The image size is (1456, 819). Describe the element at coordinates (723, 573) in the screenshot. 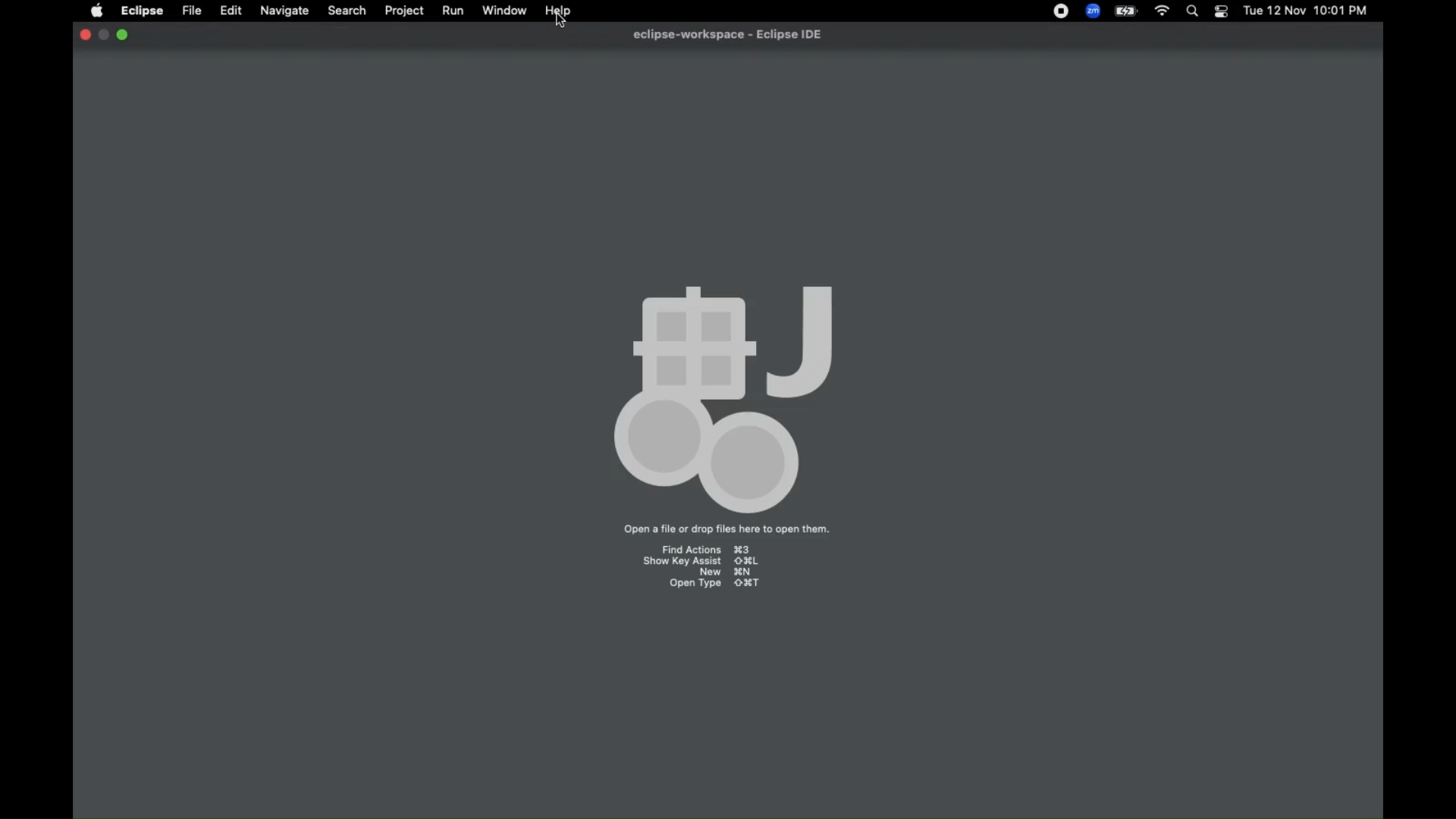

I see `new ` at that location.